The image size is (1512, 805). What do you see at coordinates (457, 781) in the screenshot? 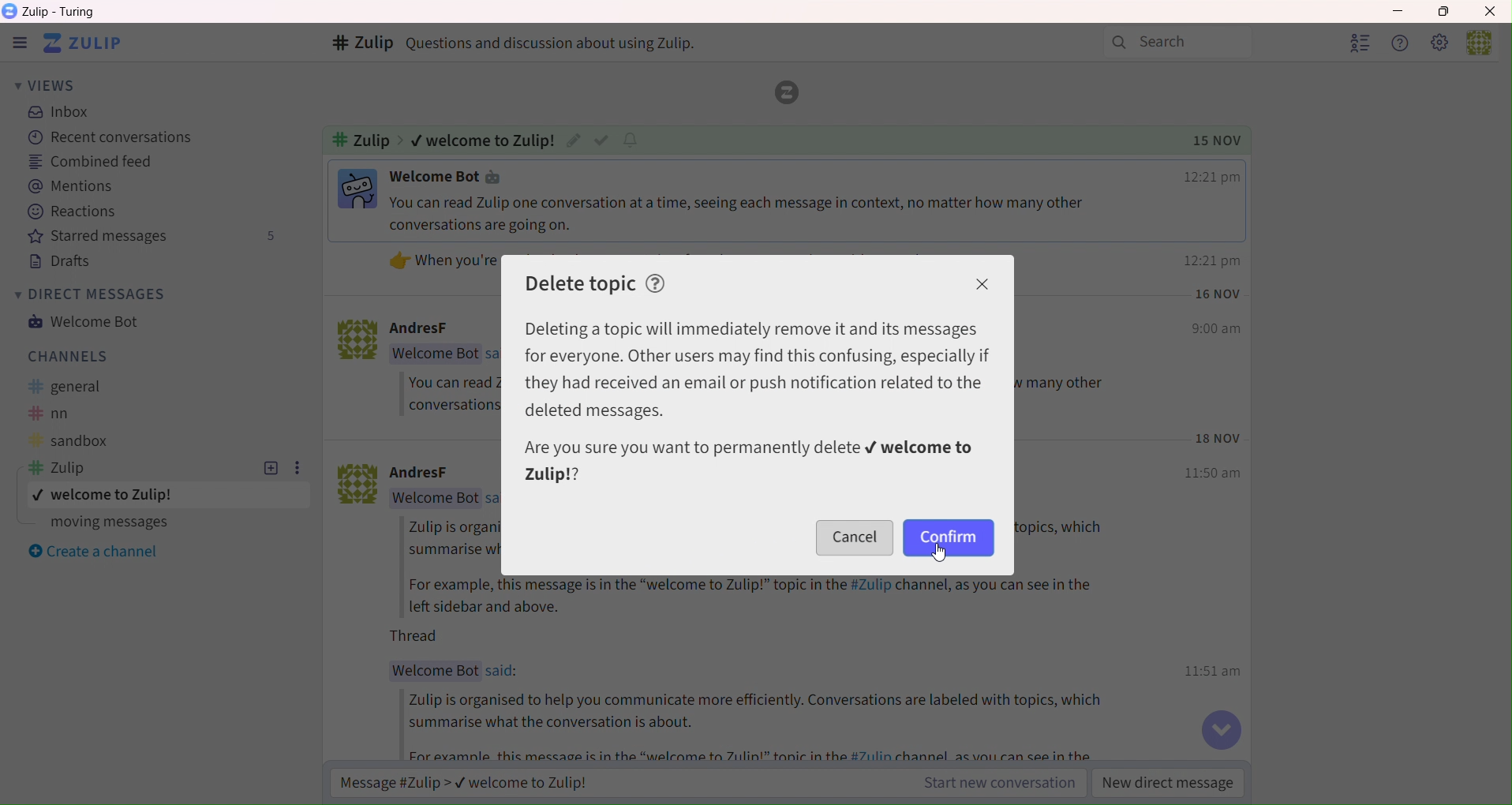
I see `Message Zulip` at bounding box center [457, 781].